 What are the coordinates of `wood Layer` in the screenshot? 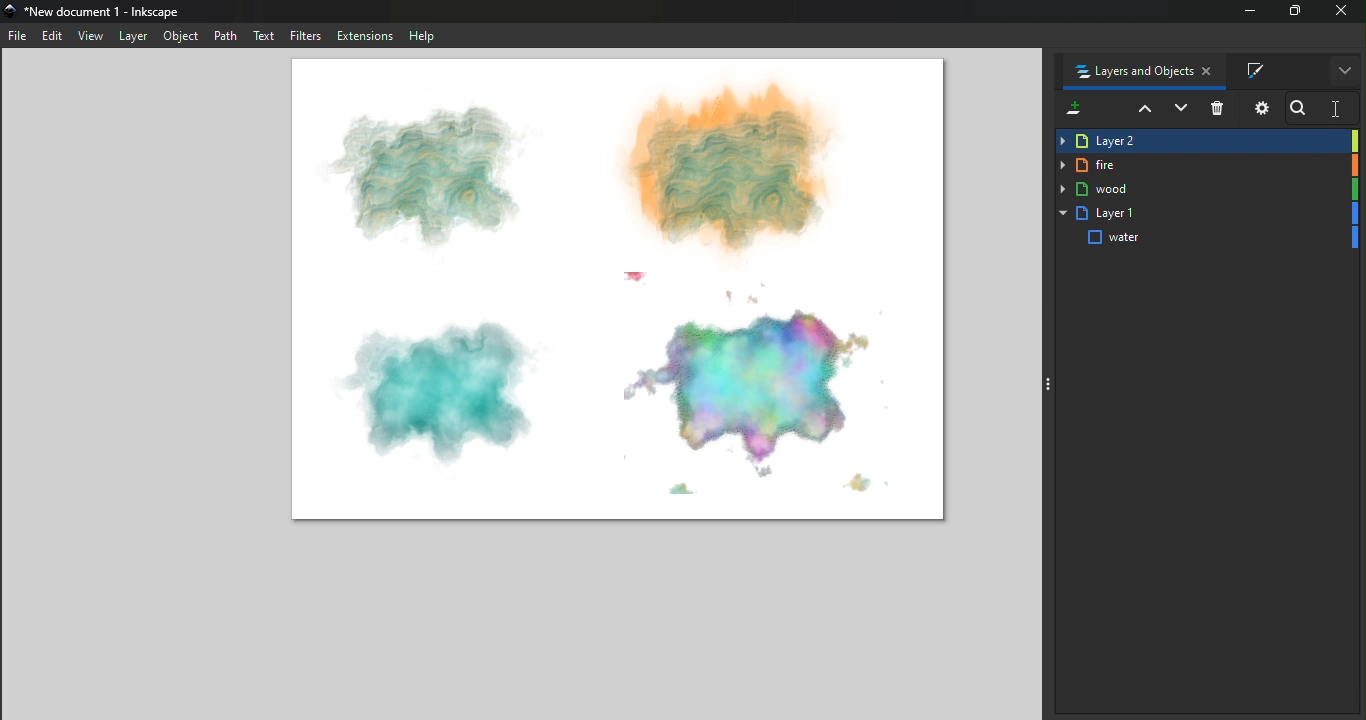 It's located at (1206, 189).